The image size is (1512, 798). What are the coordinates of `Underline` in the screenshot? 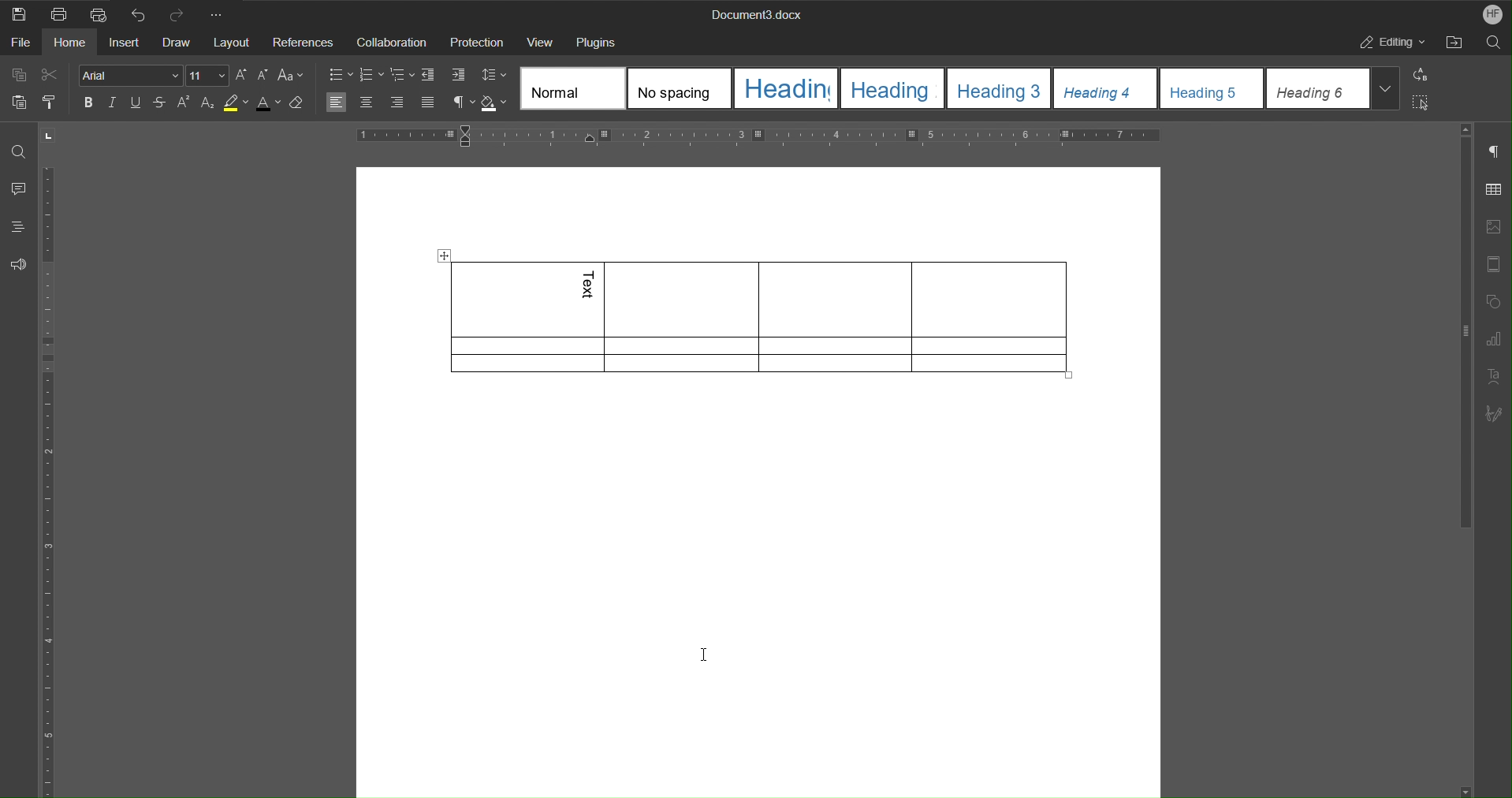 It's located at (136, 103).